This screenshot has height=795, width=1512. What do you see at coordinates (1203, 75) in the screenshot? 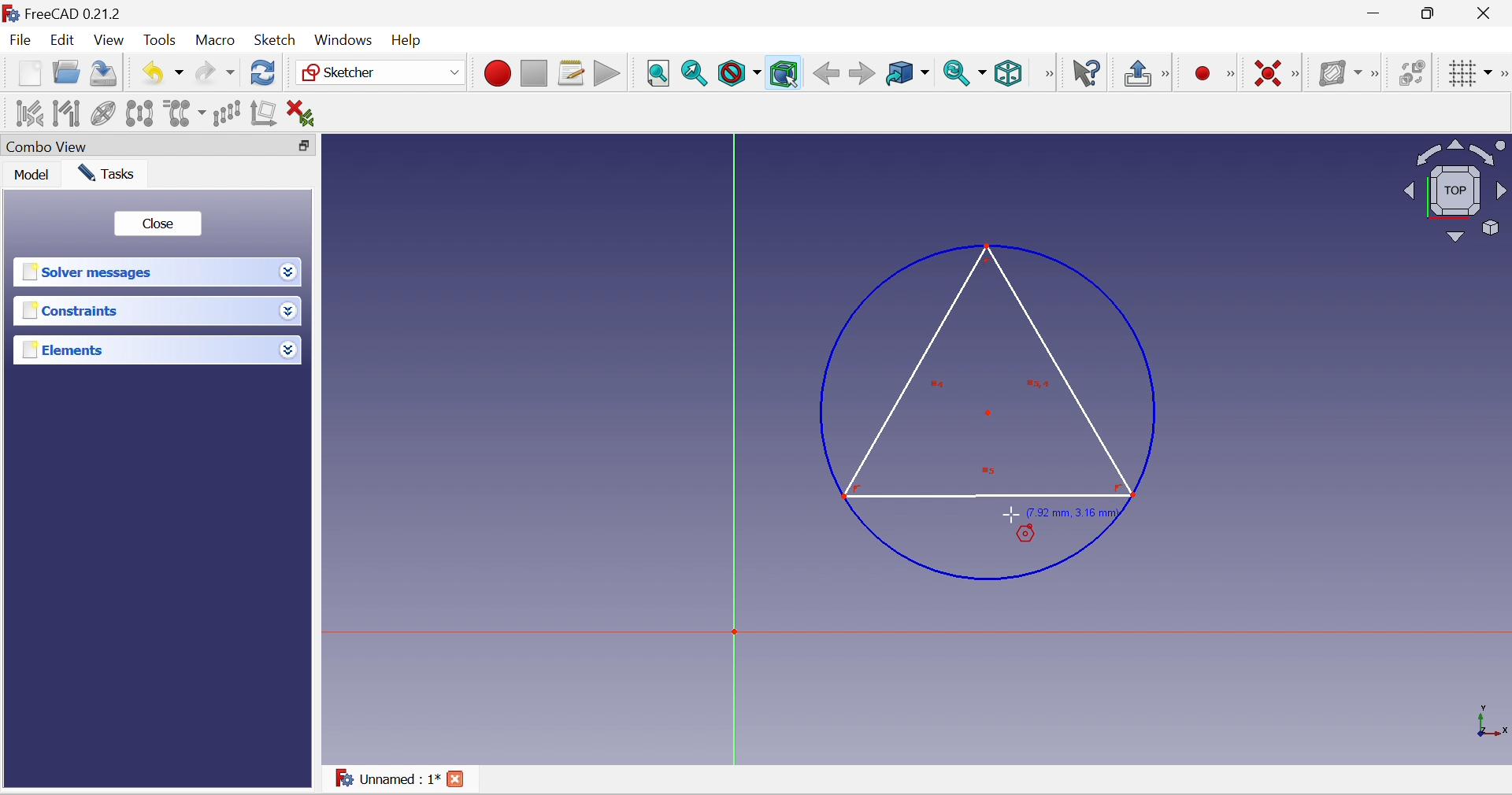
I see `Micro recording` at bounding box center [1203, 75].